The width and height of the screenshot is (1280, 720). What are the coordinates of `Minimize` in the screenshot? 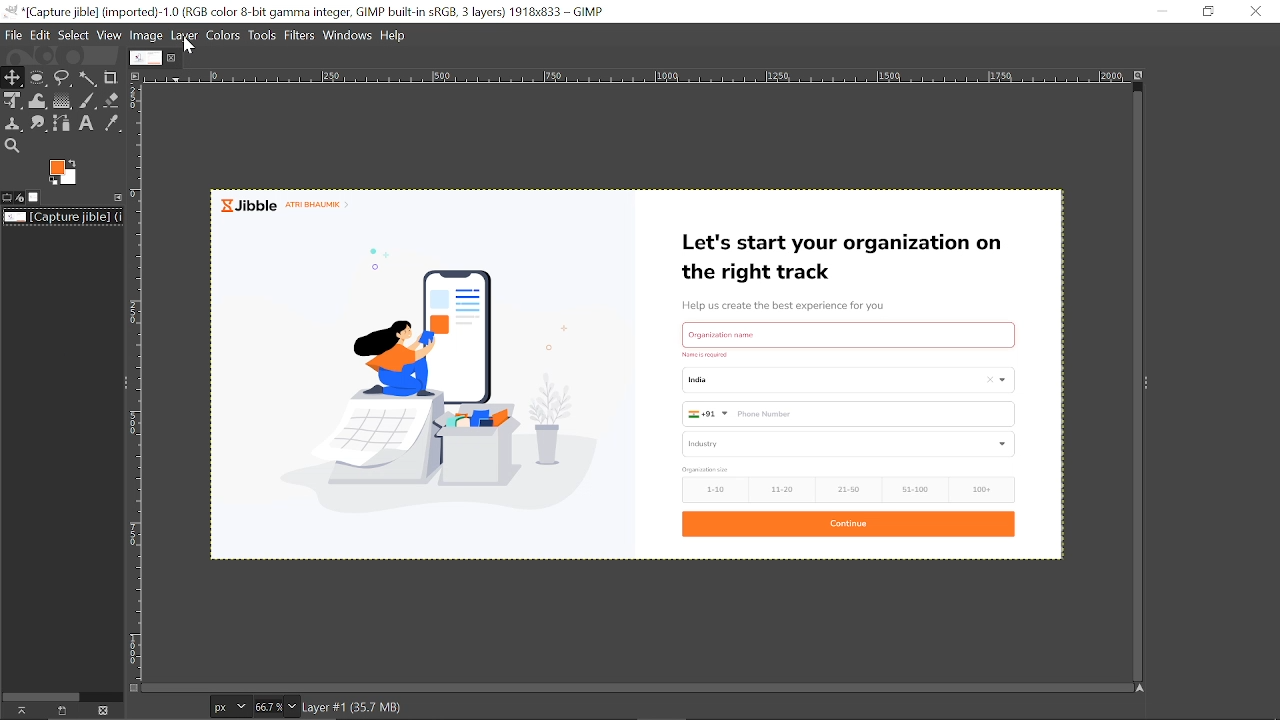 It's located at (1159, 12).